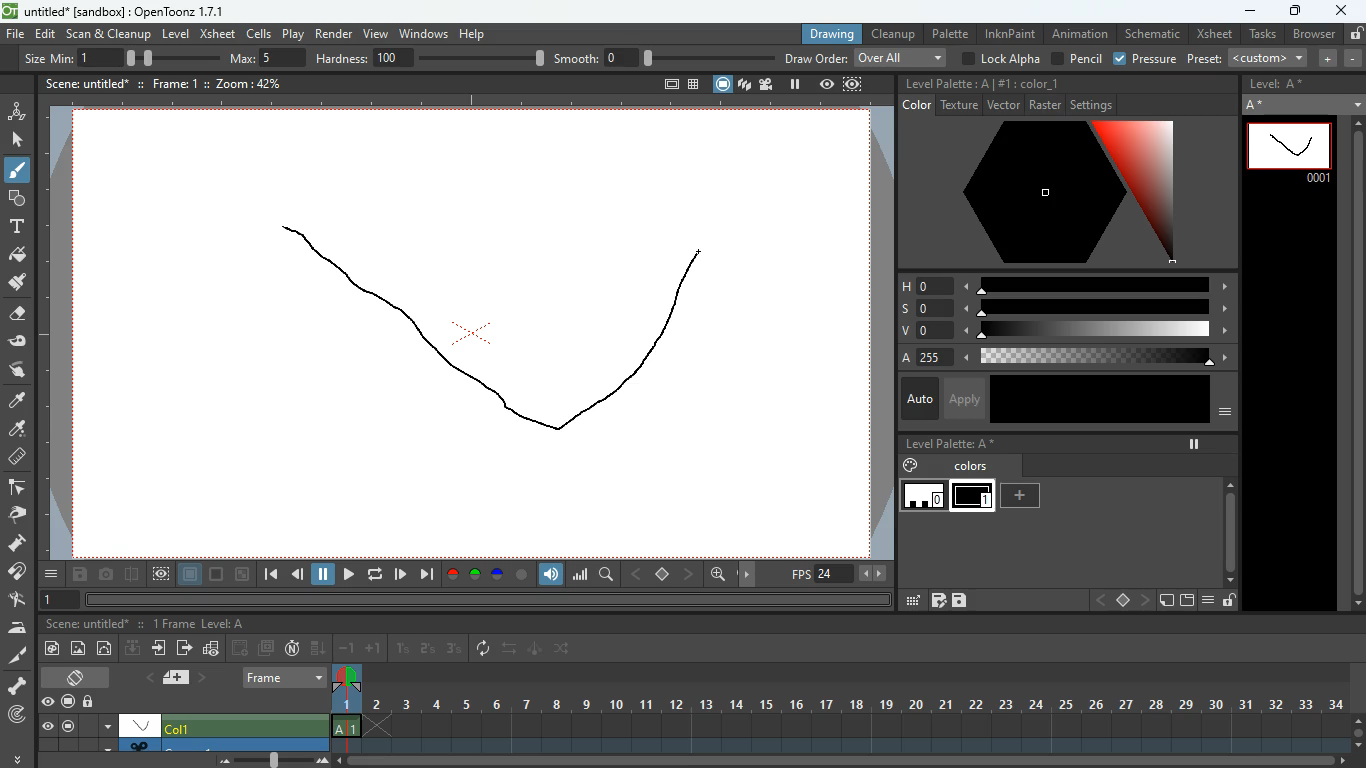 The width and height of the screenshot is (1366, 768). I want to click on frames, so click(853, 710).